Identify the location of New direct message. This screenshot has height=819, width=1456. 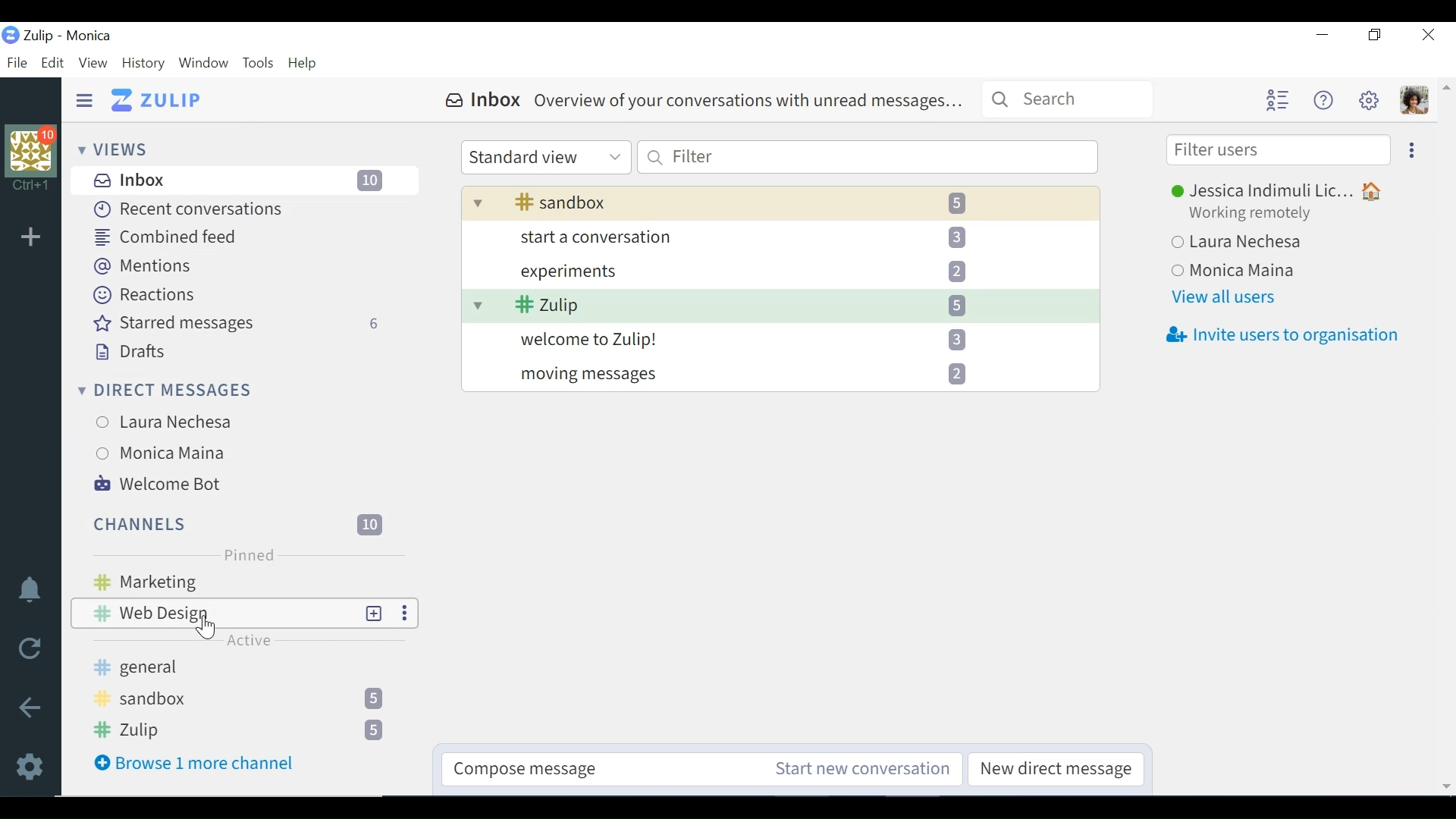
(1059, 770).